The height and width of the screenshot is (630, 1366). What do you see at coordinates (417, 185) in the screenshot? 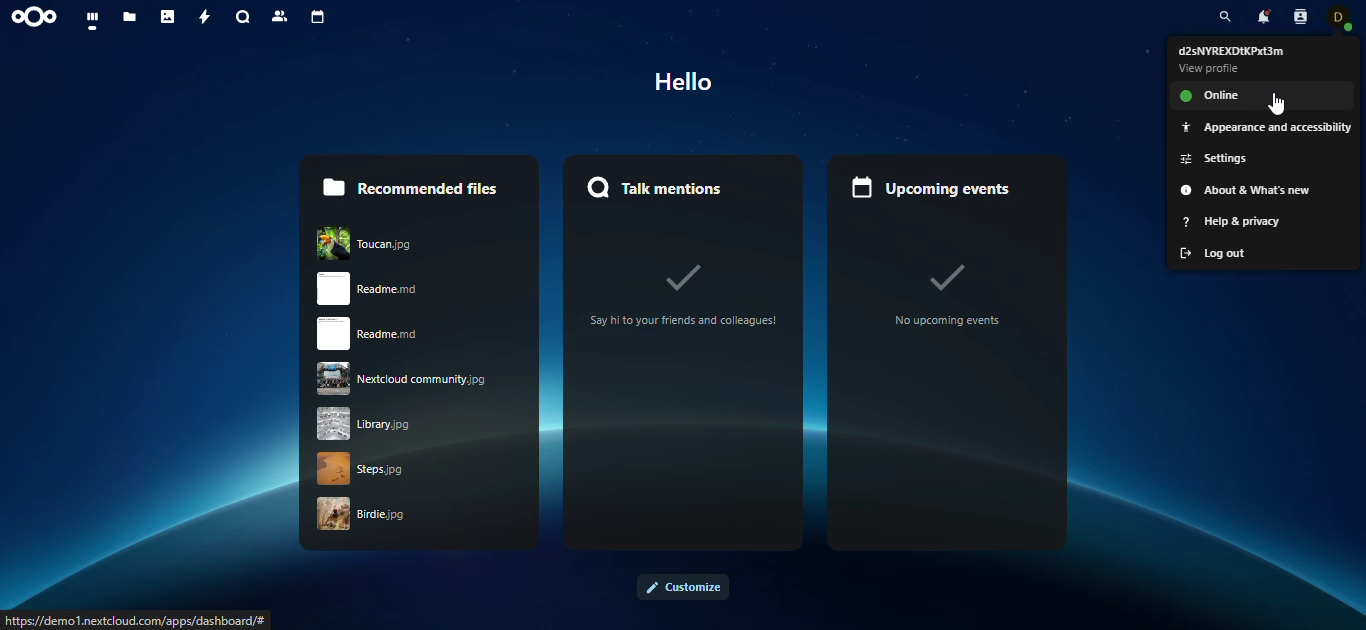
I see `recommended files` at bounding box center [417, 185].